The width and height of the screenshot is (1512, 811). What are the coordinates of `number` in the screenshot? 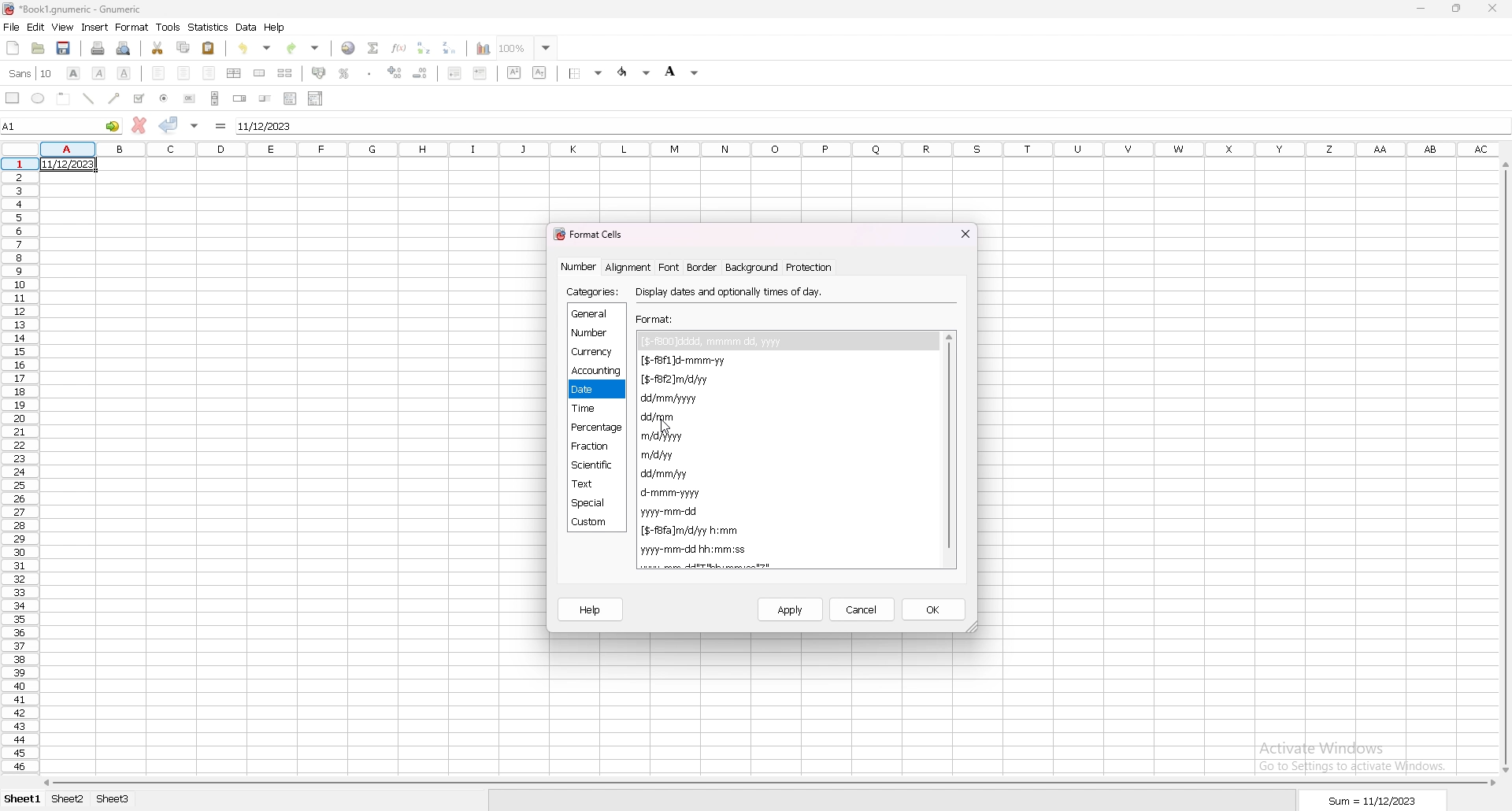 It's located at (580, 266).